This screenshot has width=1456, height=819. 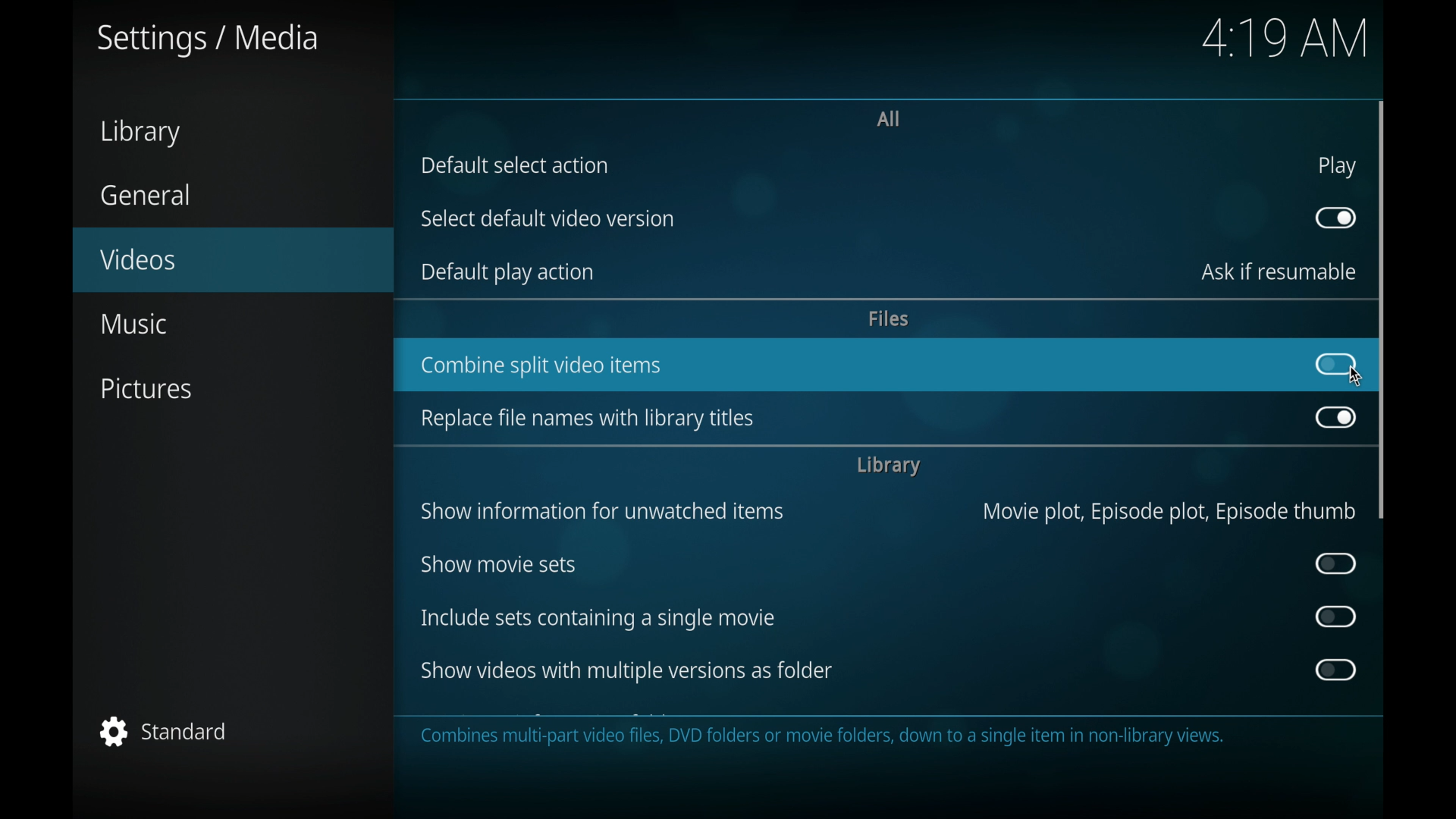 What do you see at coordinates (205, 39) in the screenshot?
I see `settings/ media` at bounding box center [205, 39].